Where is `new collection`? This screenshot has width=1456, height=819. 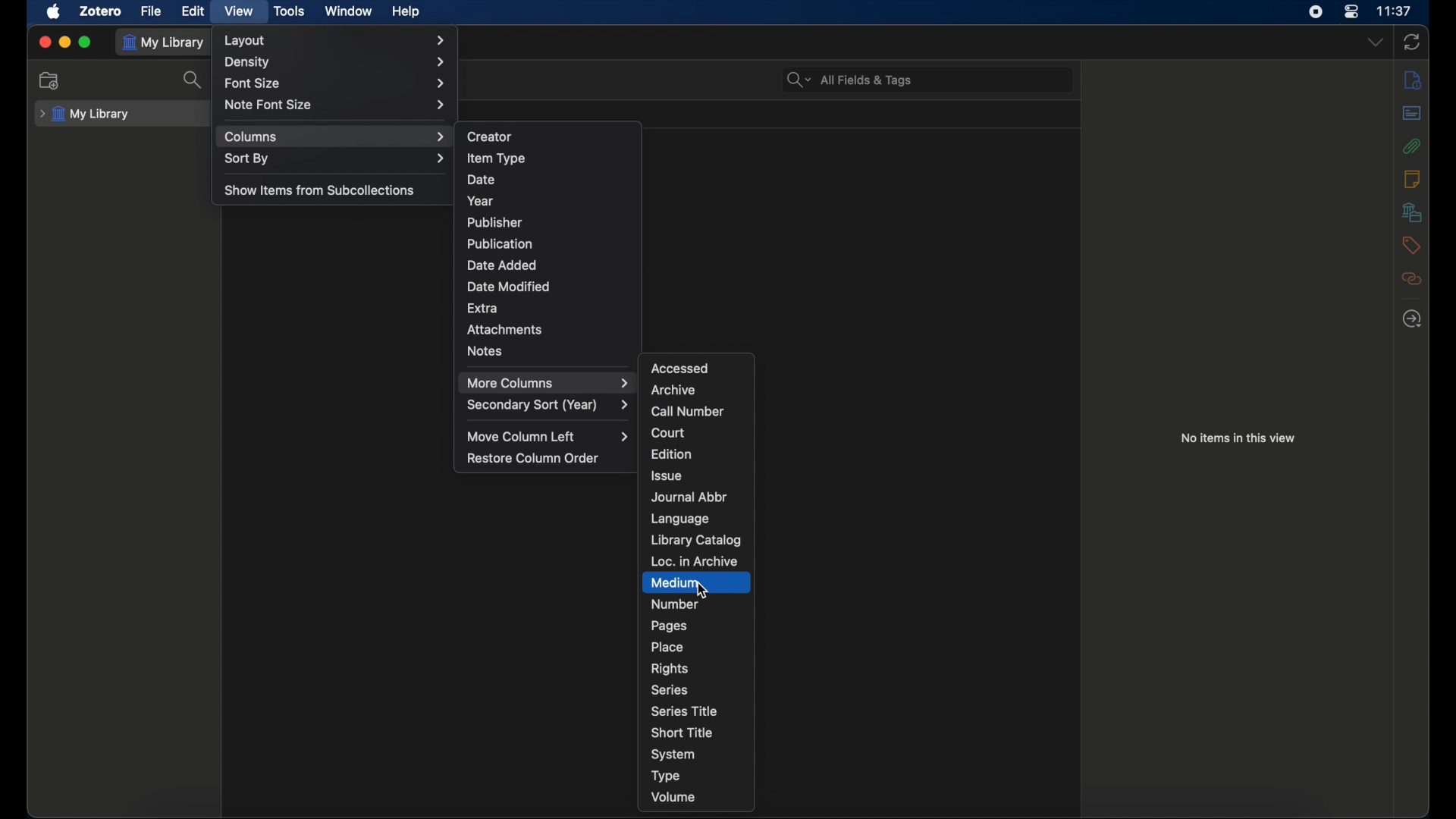
new collection is located at coordinates (52, 80).